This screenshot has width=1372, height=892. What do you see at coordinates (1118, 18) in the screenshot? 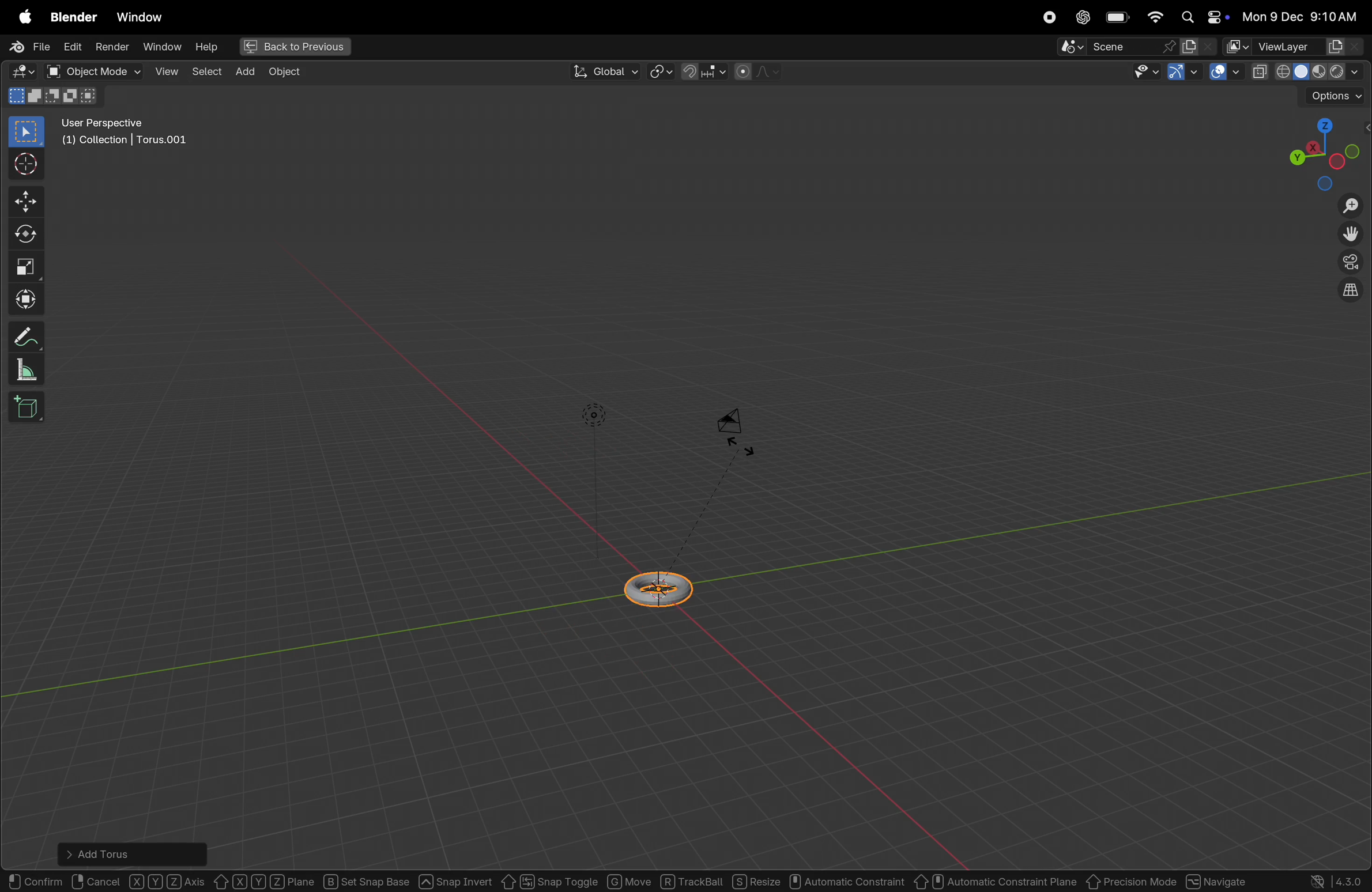
I see `battery` at bounding box center [1118, 18].